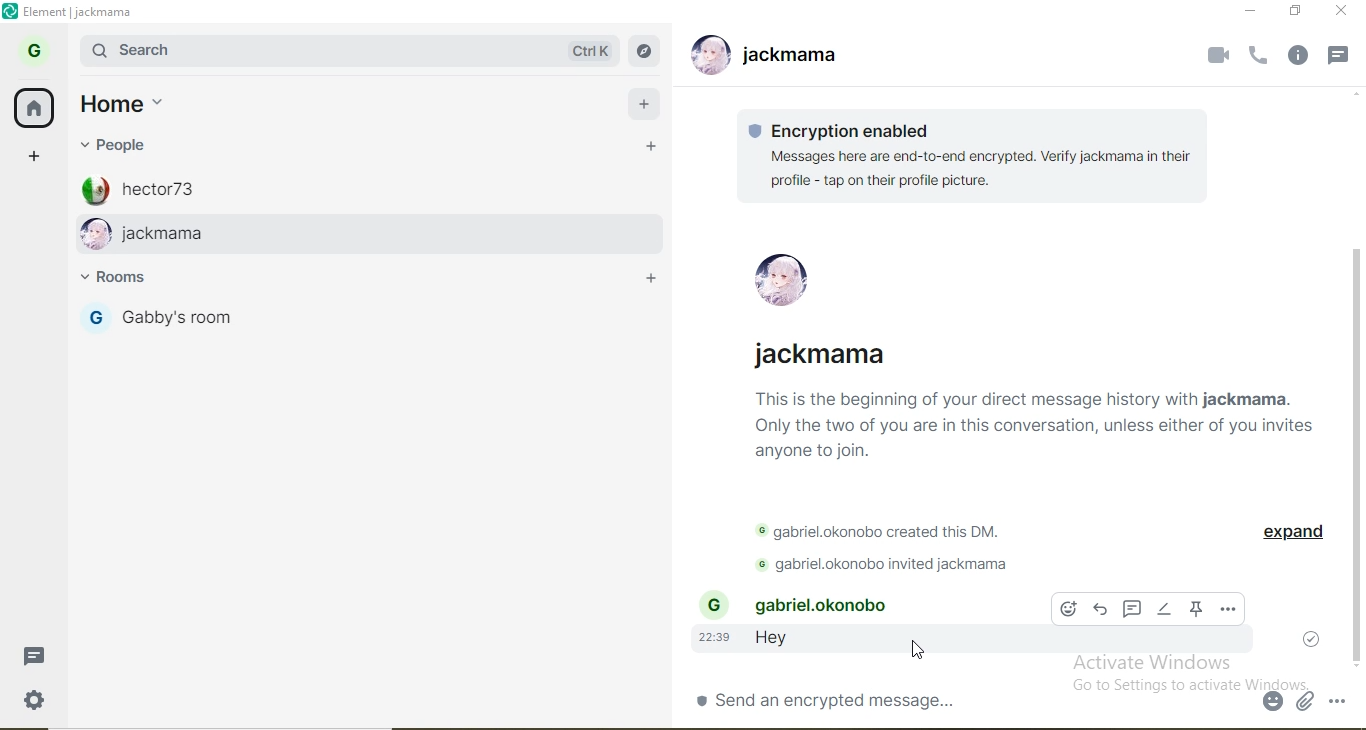  I want to click on text2, so click(1030, 404).